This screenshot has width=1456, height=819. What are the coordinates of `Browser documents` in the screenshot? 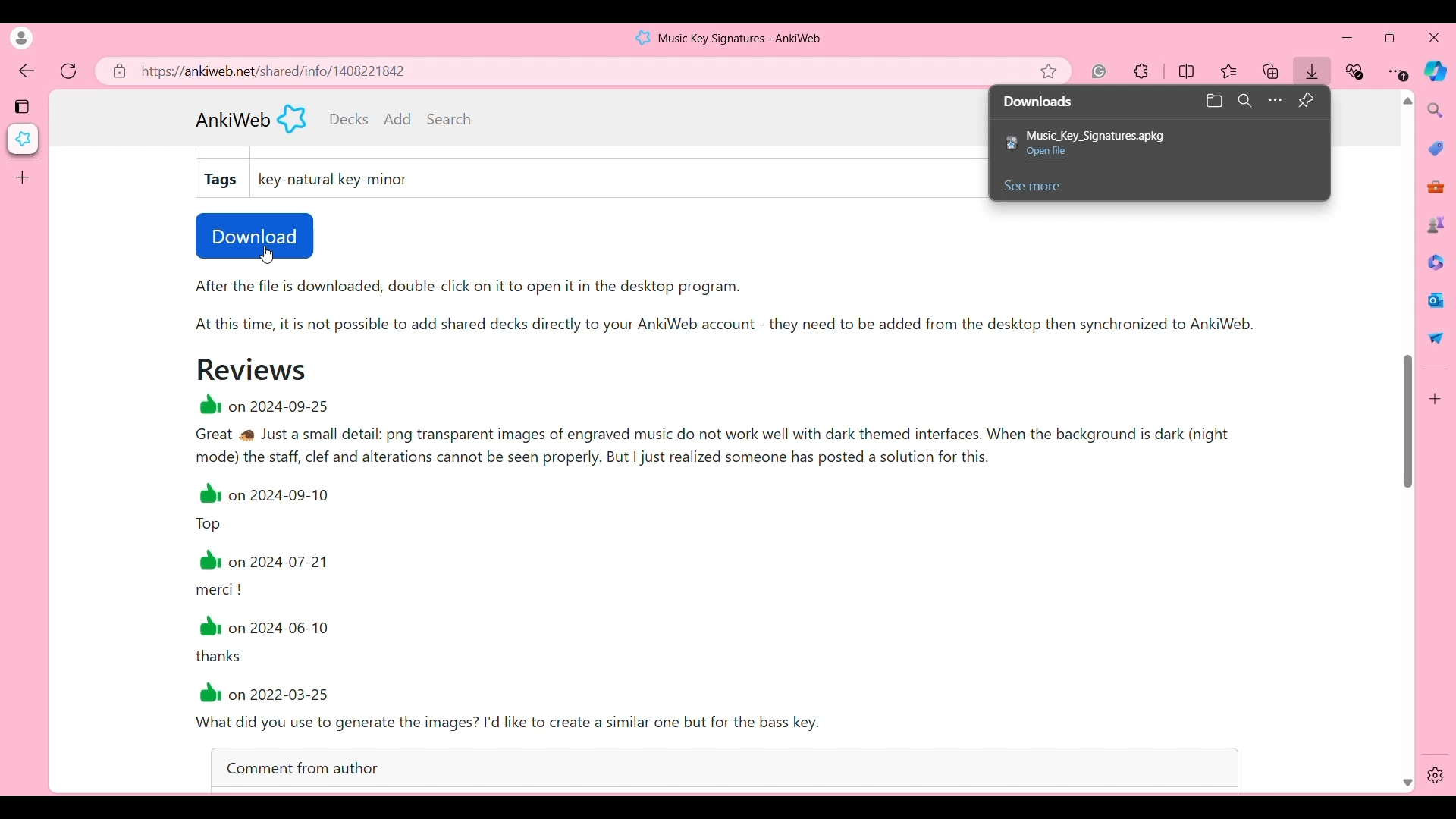 It's located at (1435, 262).